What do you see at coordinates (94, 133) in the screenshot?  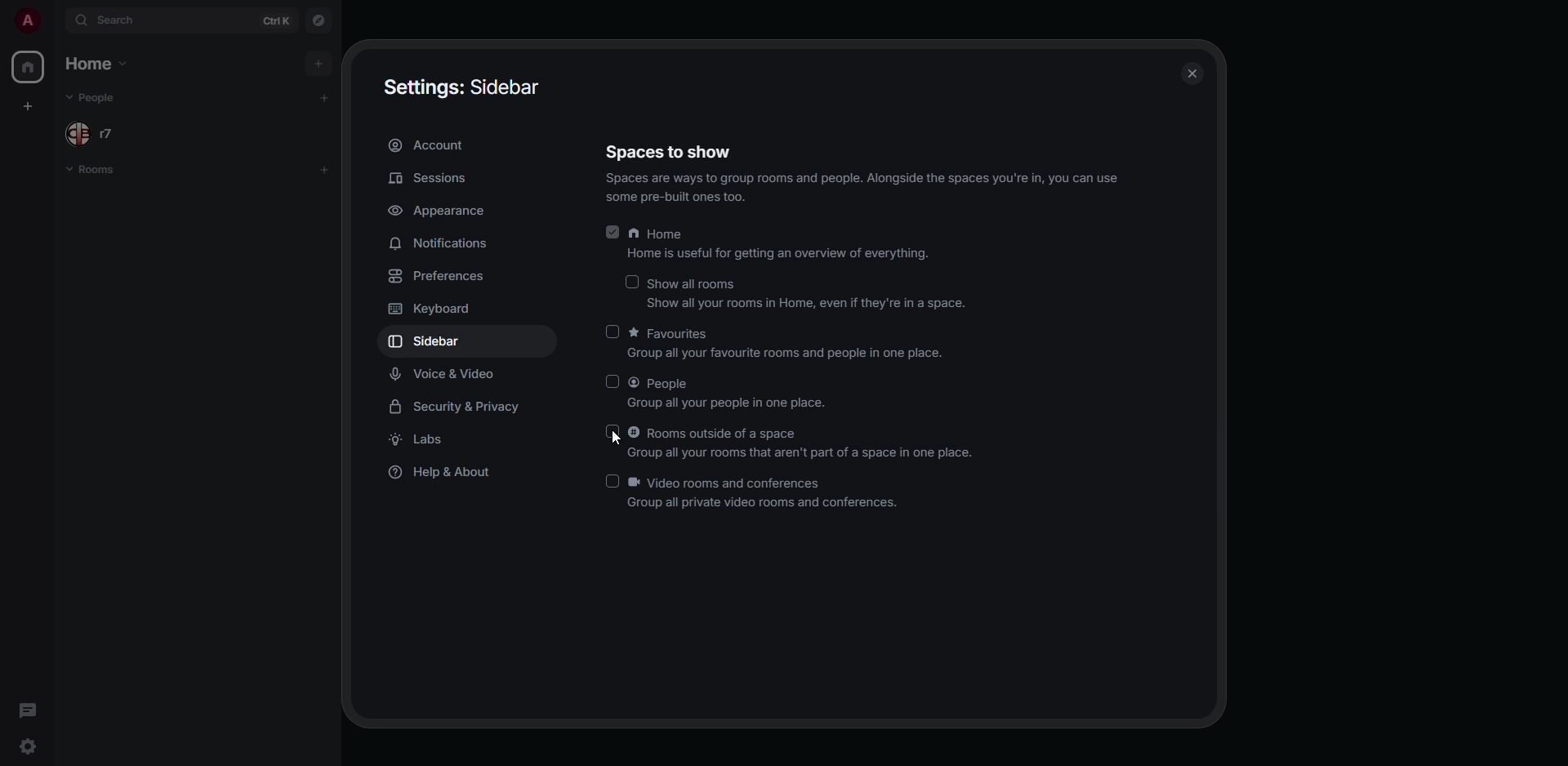 I see `people` at bounding box center [94, 133].